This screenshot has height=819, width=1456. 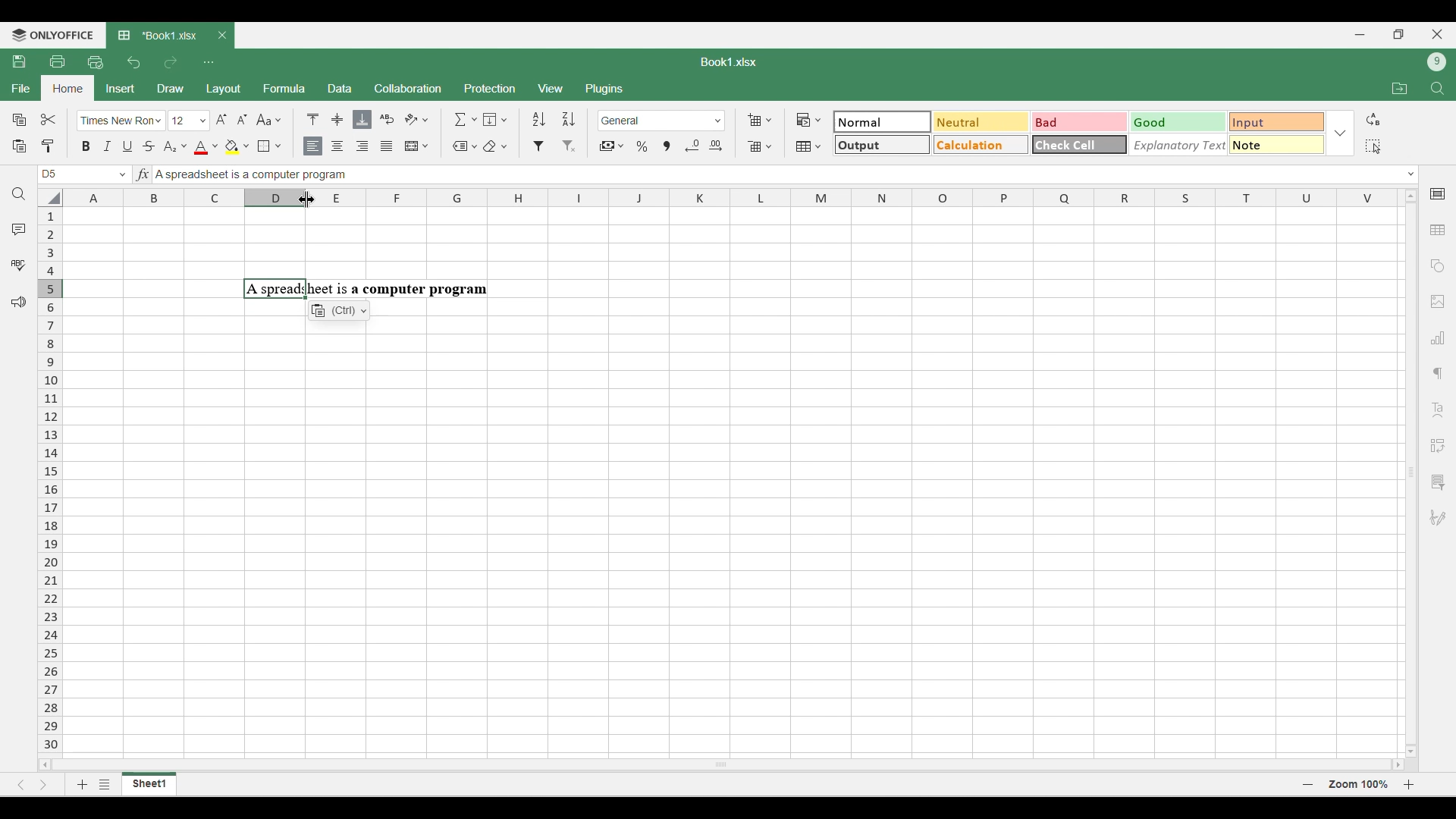 I want to click on Horizontal marker, so click(x=733, y=199).